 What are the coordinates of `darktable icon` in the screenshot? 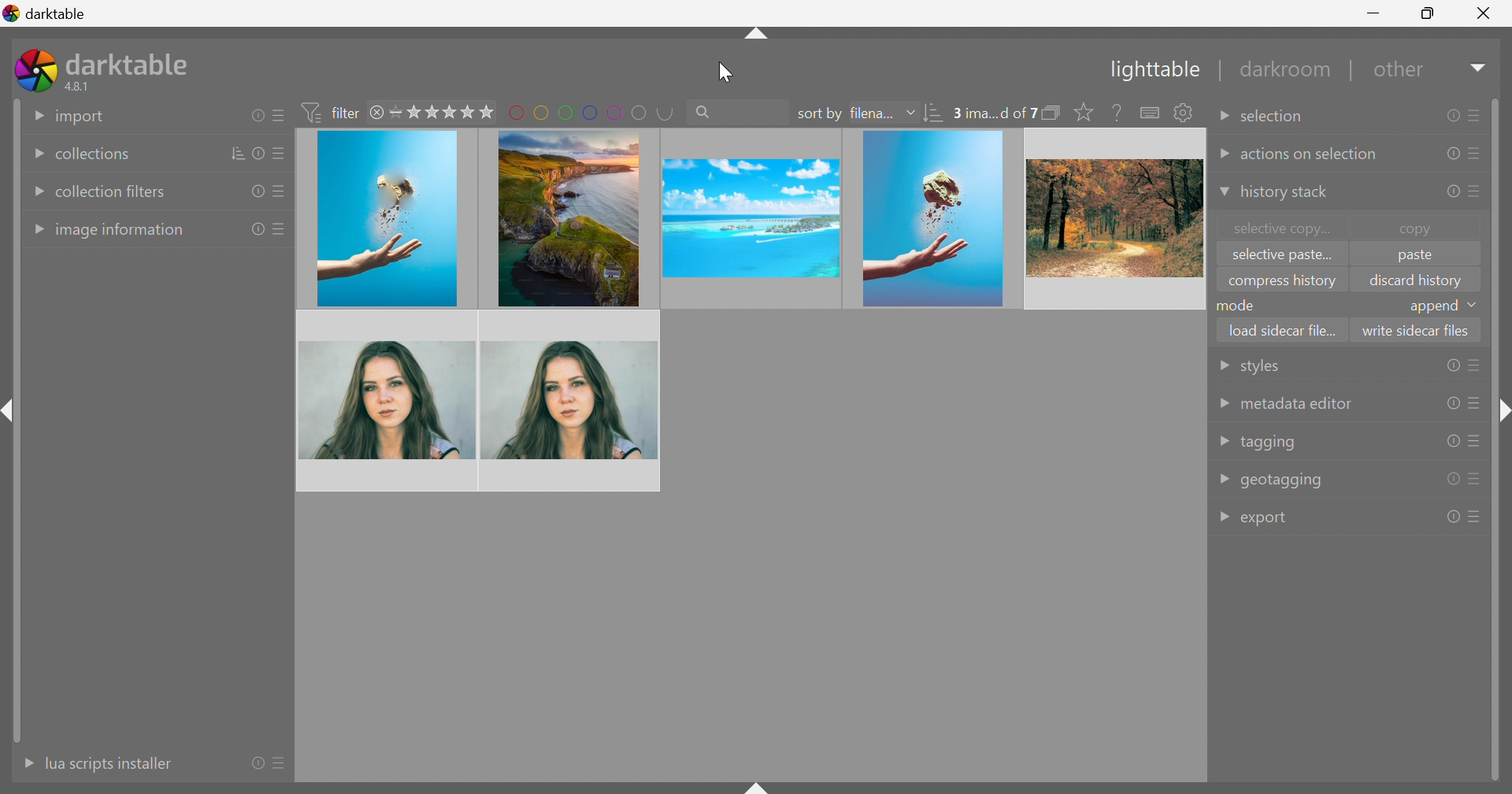 It's located at (35, 70).